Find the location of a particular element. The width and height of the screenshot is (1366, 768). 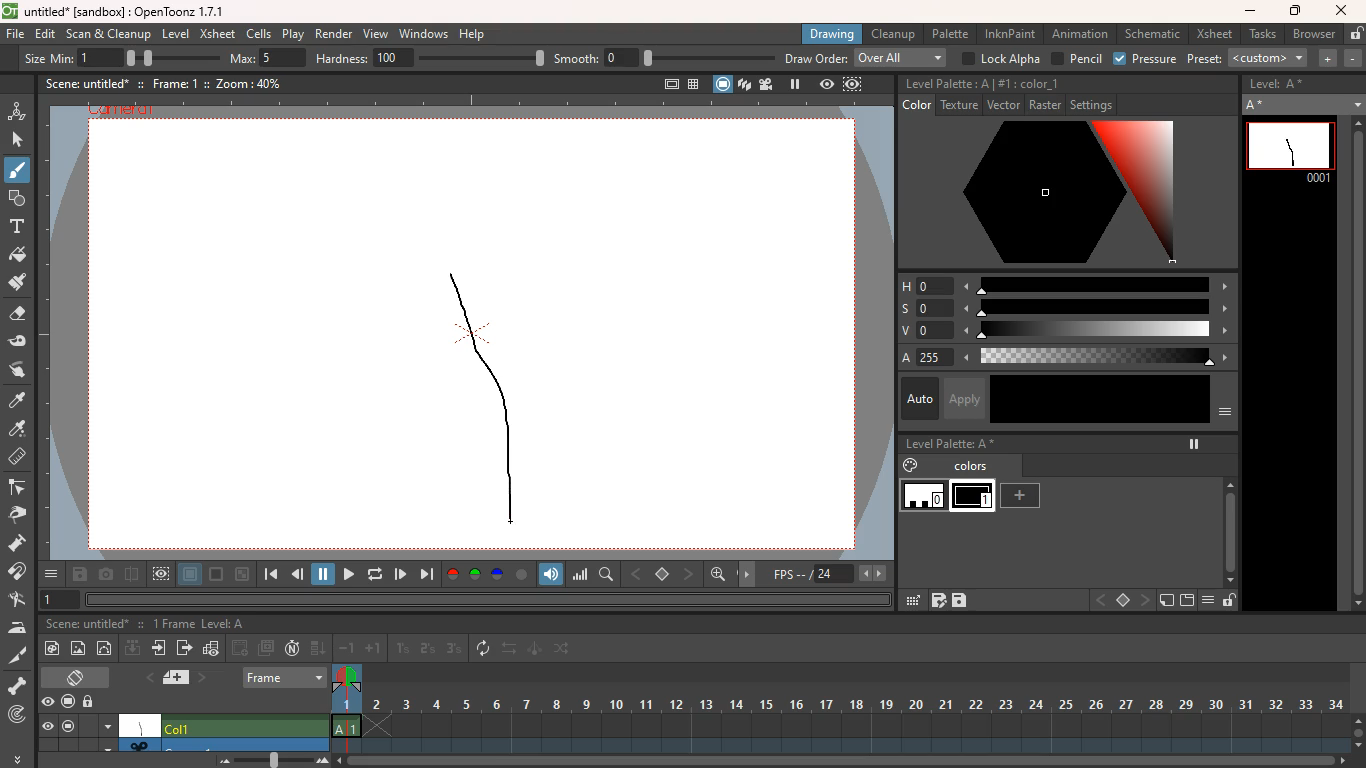

menu is located at coordinates (1212, 601).